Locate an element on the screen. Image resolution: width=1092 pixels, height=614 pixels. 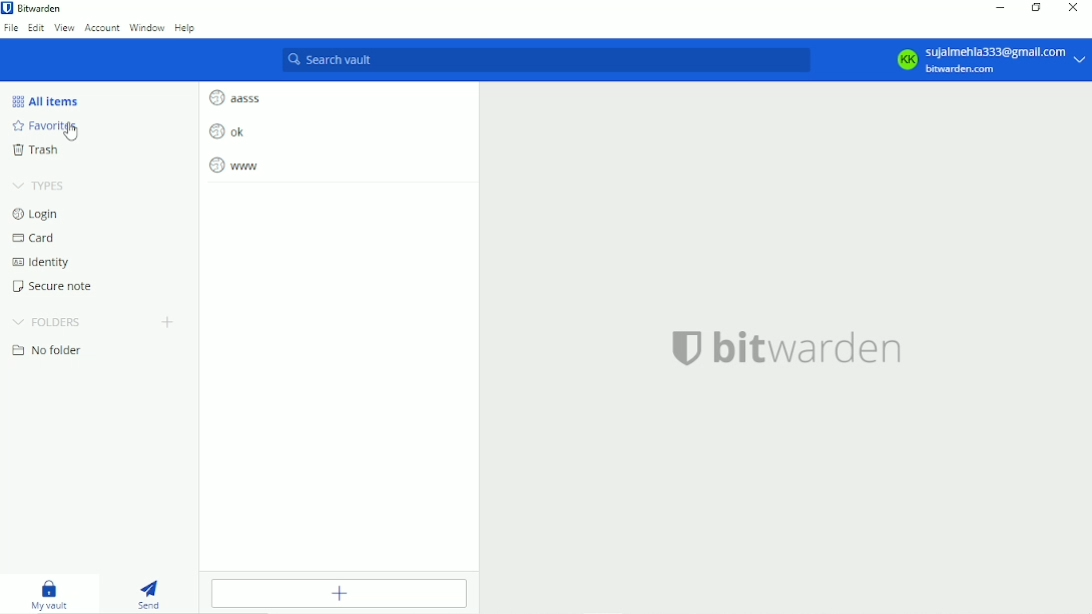
Card is located at coordinates (35, 237).